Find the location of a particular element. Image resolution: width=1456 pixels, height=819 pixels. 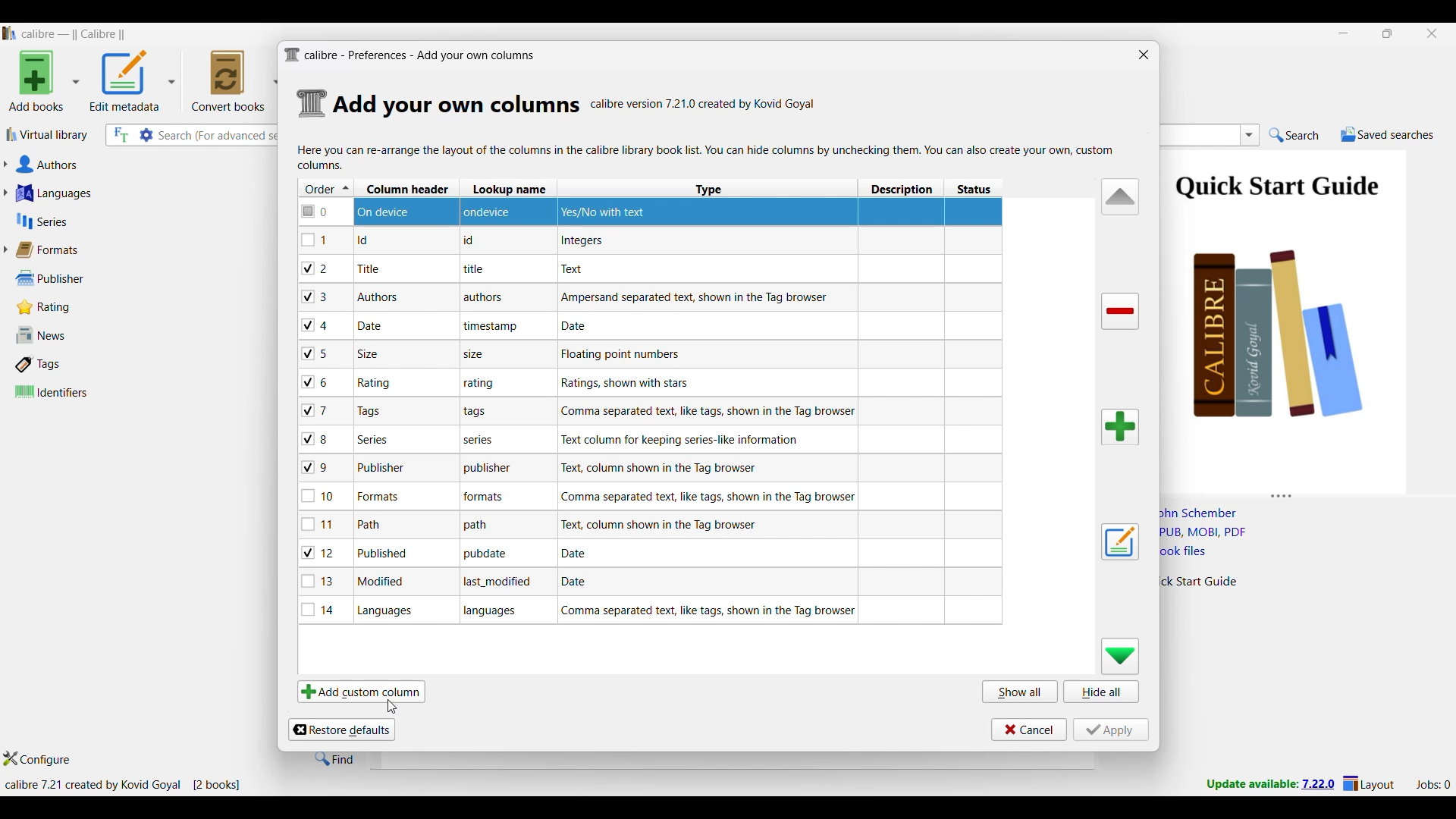

Search the full text of all books is located at coordinates (120, 135).